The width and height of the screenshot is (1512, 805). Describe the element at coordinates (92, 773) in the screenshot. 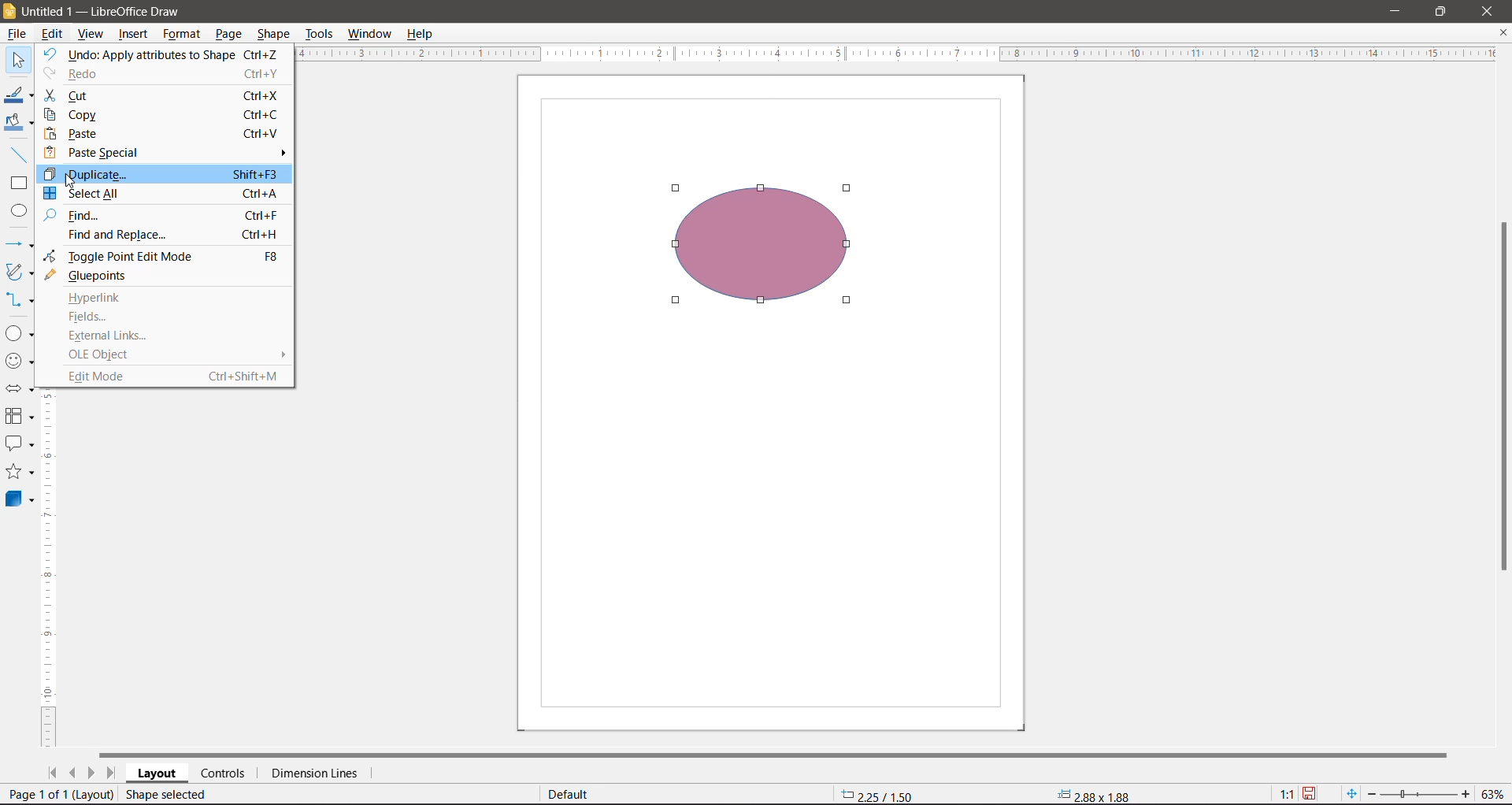

I see `Scroll to next page` at that location.